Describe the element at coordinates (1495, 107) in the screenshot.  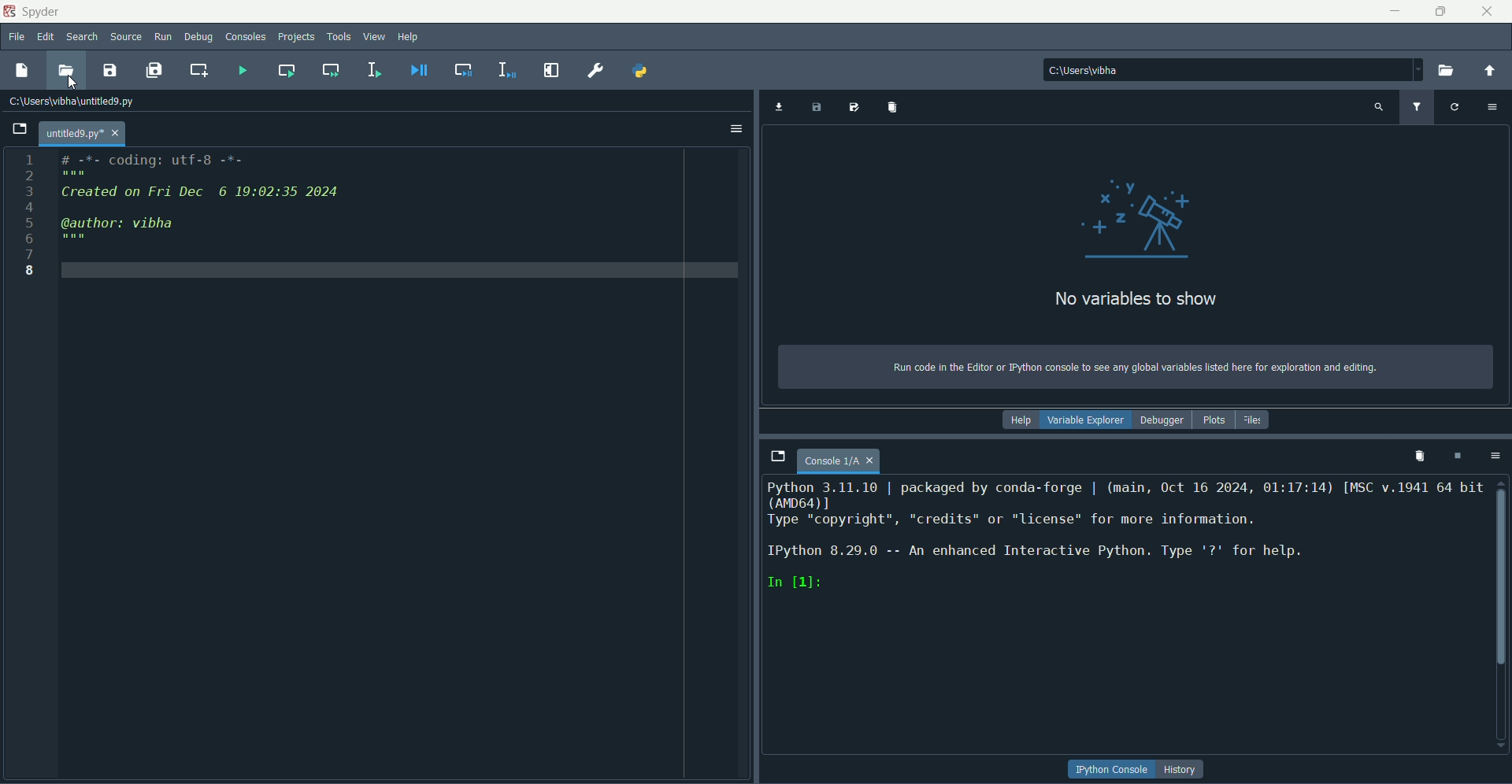
I see `options` at that location.